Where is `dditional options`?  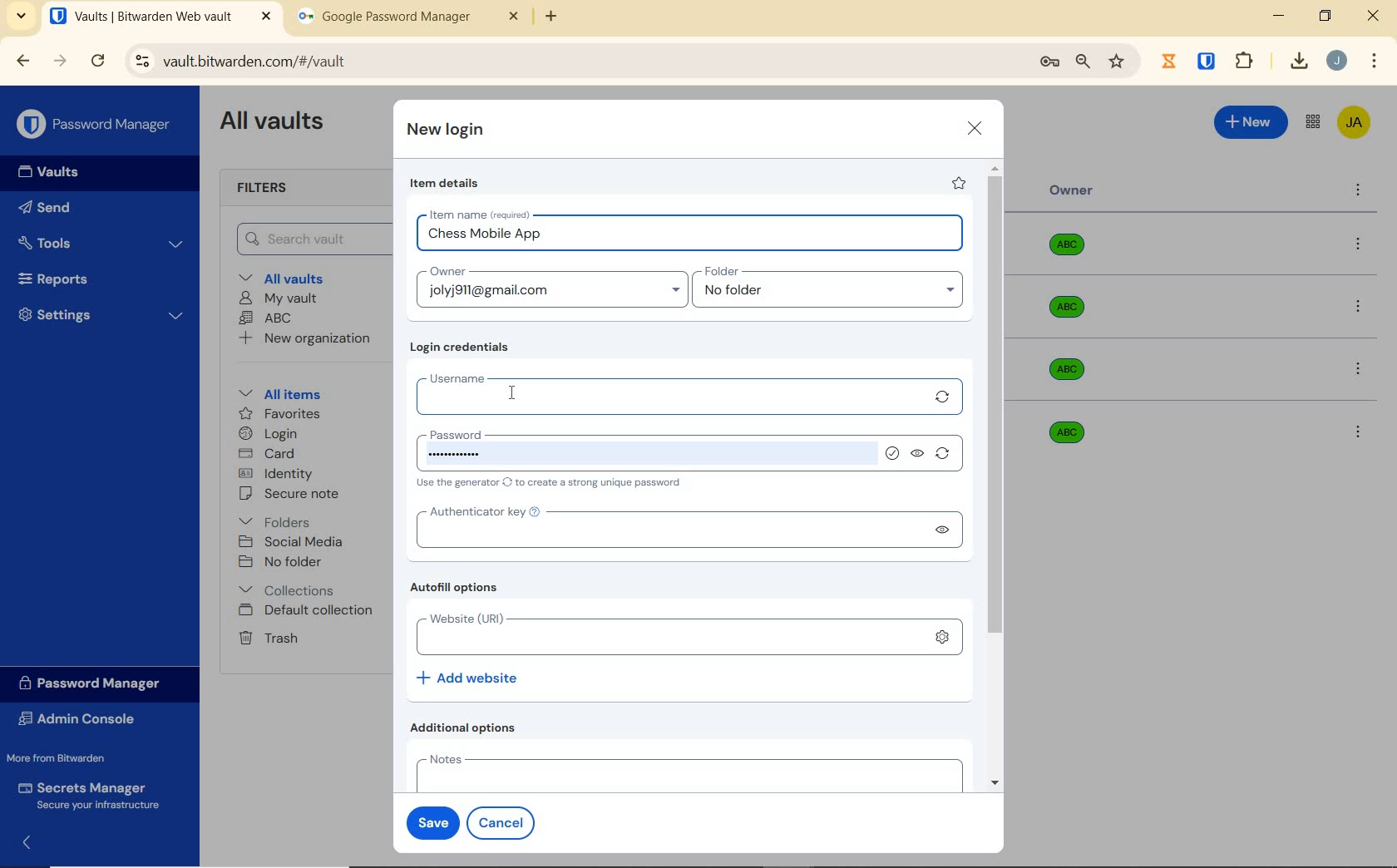
dditional options is located at coordinates (467, 727).